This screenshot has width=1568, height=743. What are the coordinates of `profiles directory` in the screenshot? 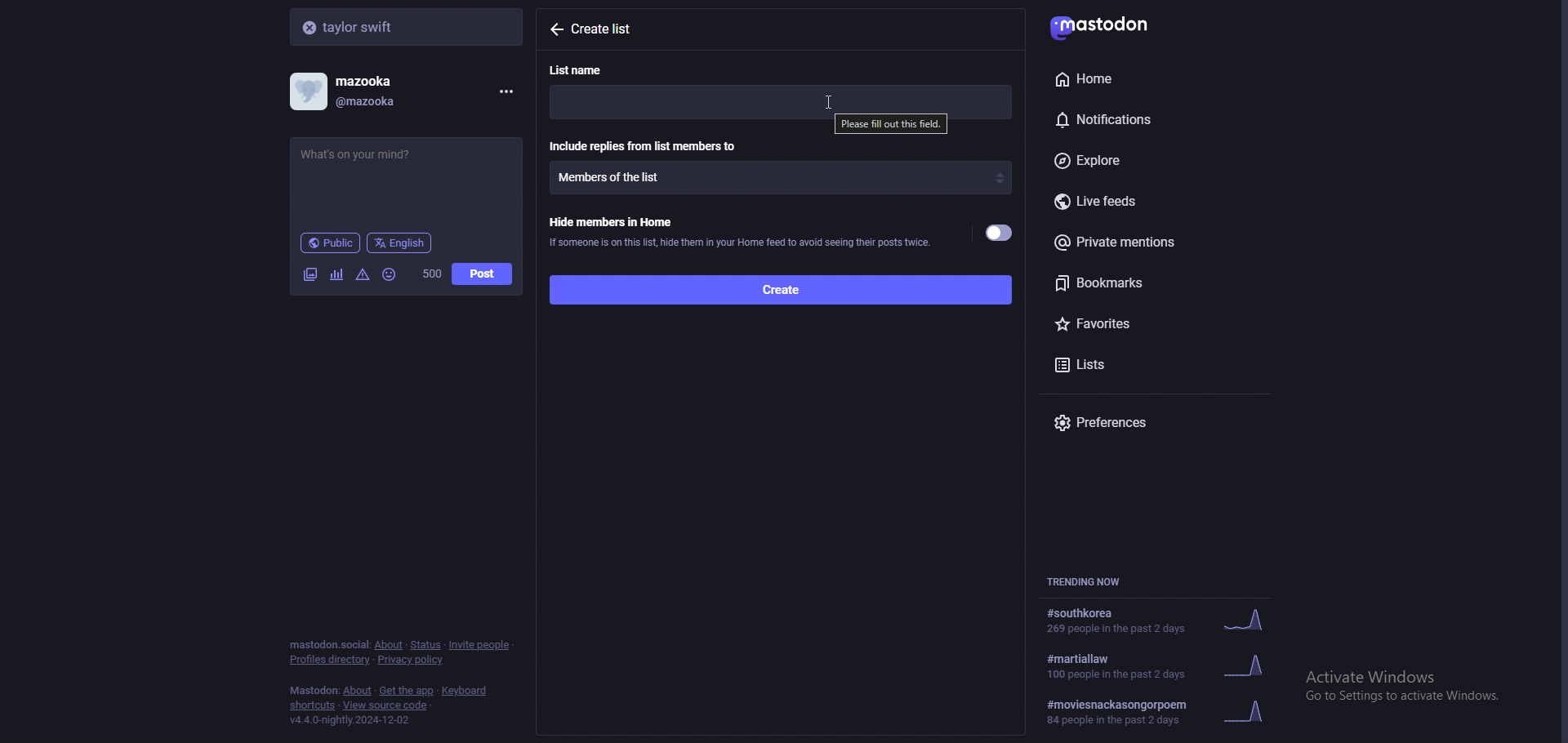 It's located at (331, 661).